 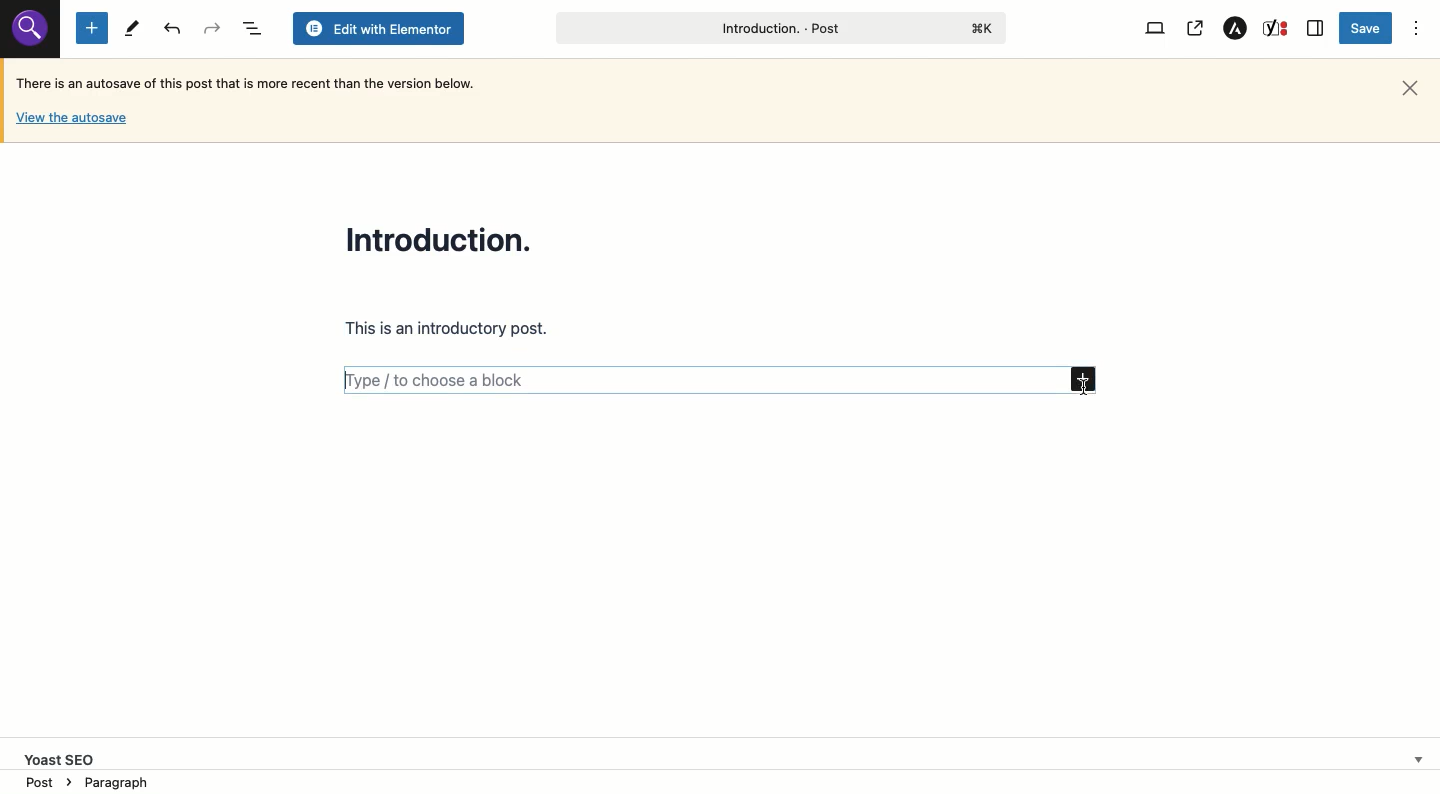 I want to click on Add new block, so click(x=92, y=27).